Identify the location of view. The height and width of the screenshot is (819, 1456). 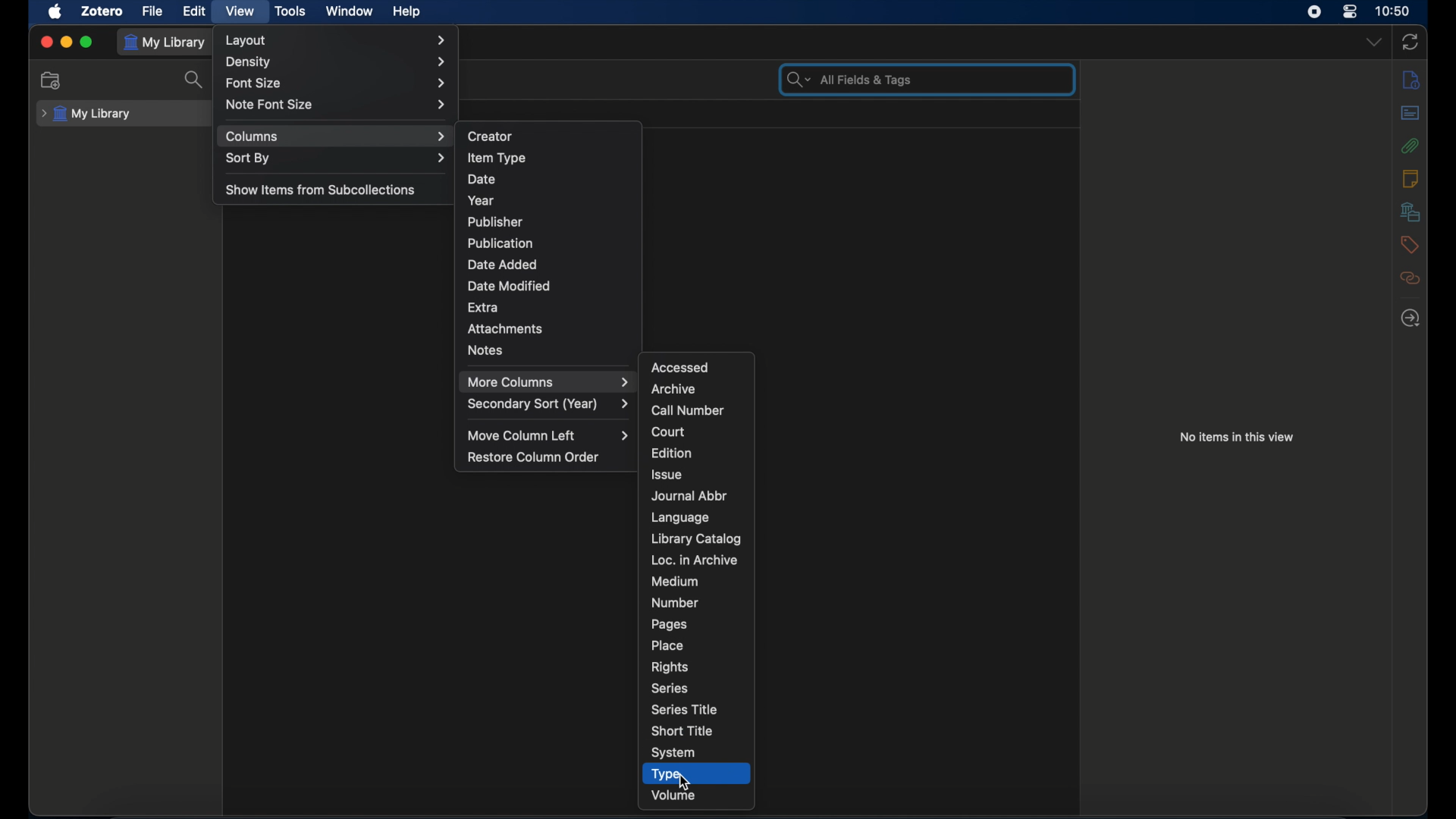
(241, 12).